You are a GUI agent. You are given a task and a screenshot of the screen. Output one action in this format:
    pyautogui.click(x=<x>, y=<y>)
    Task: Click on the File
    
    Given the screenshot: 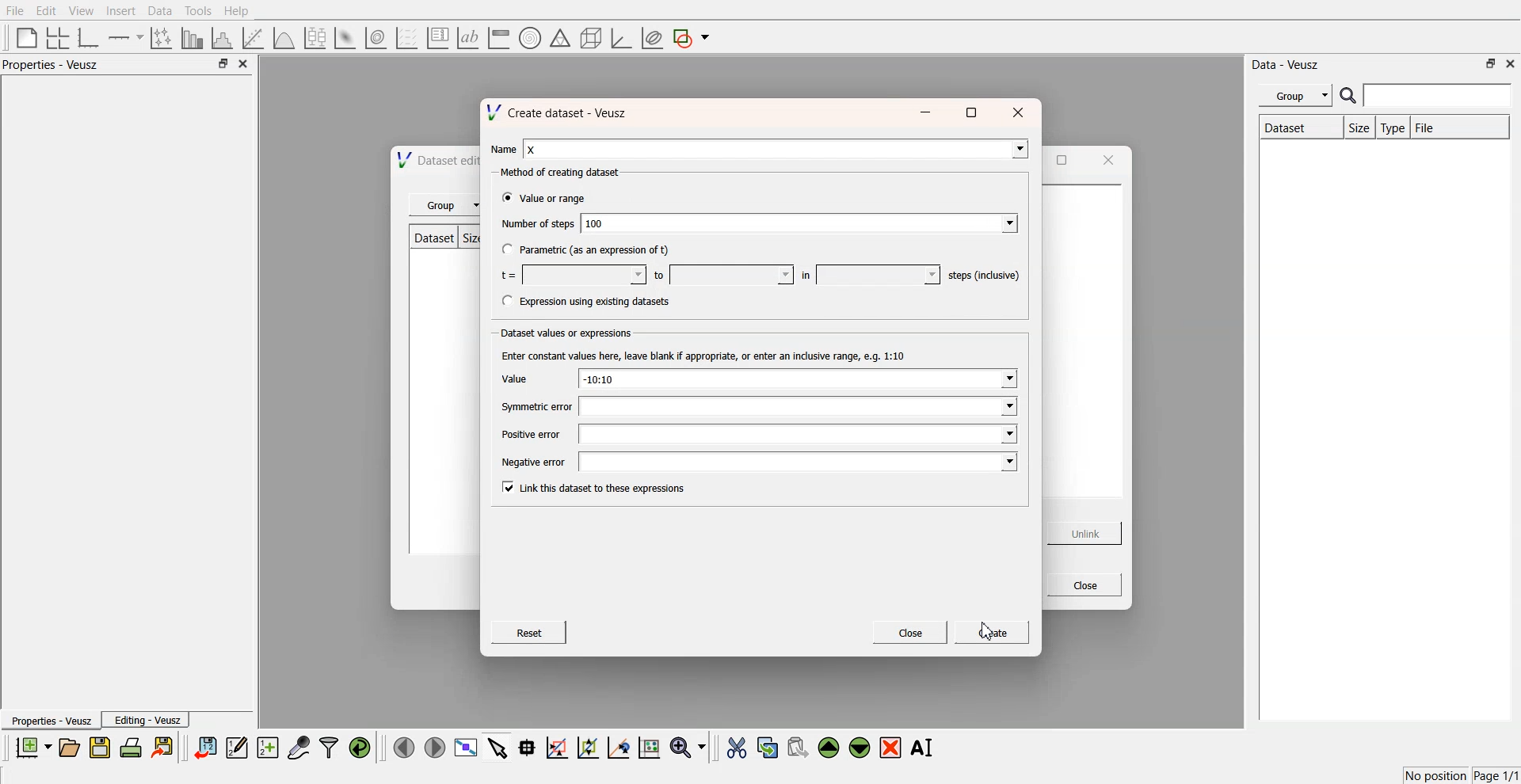 What is the action you would take?
    pyautogui.click(x=16, y=11)
    